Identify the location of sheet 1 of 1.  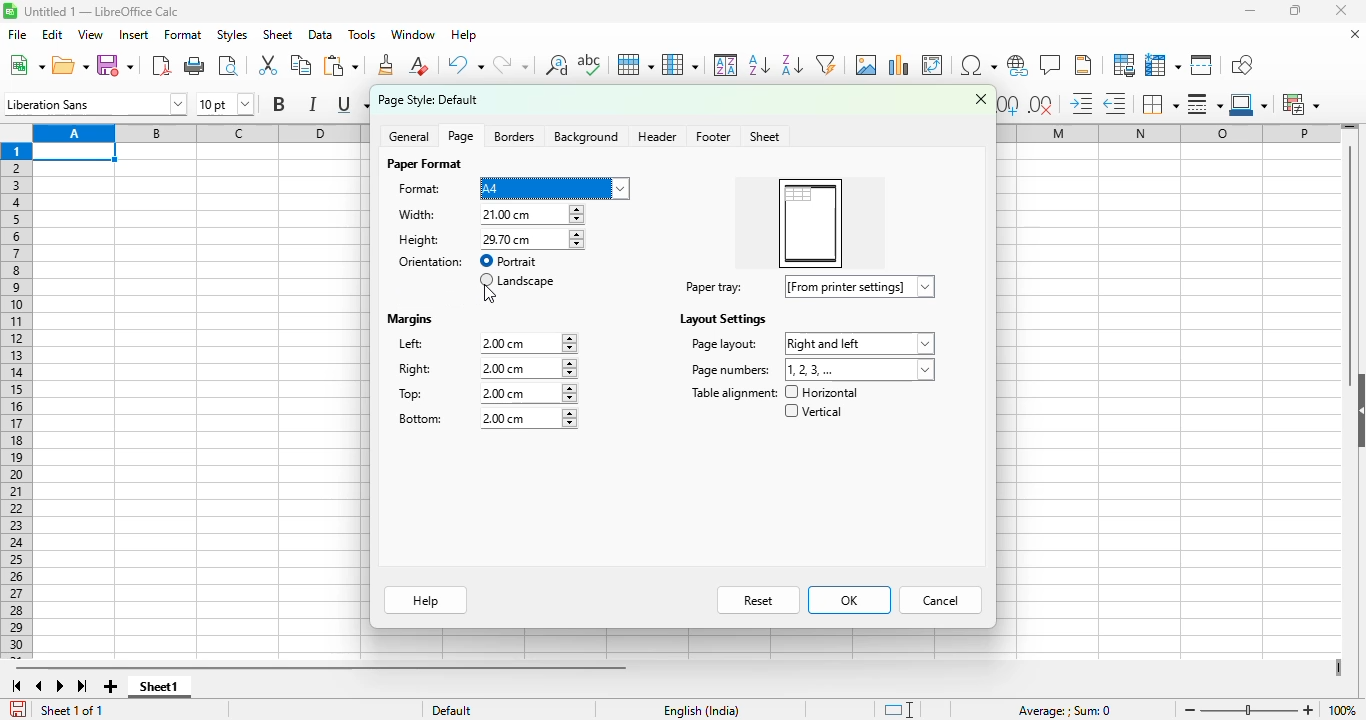
(70, 710).